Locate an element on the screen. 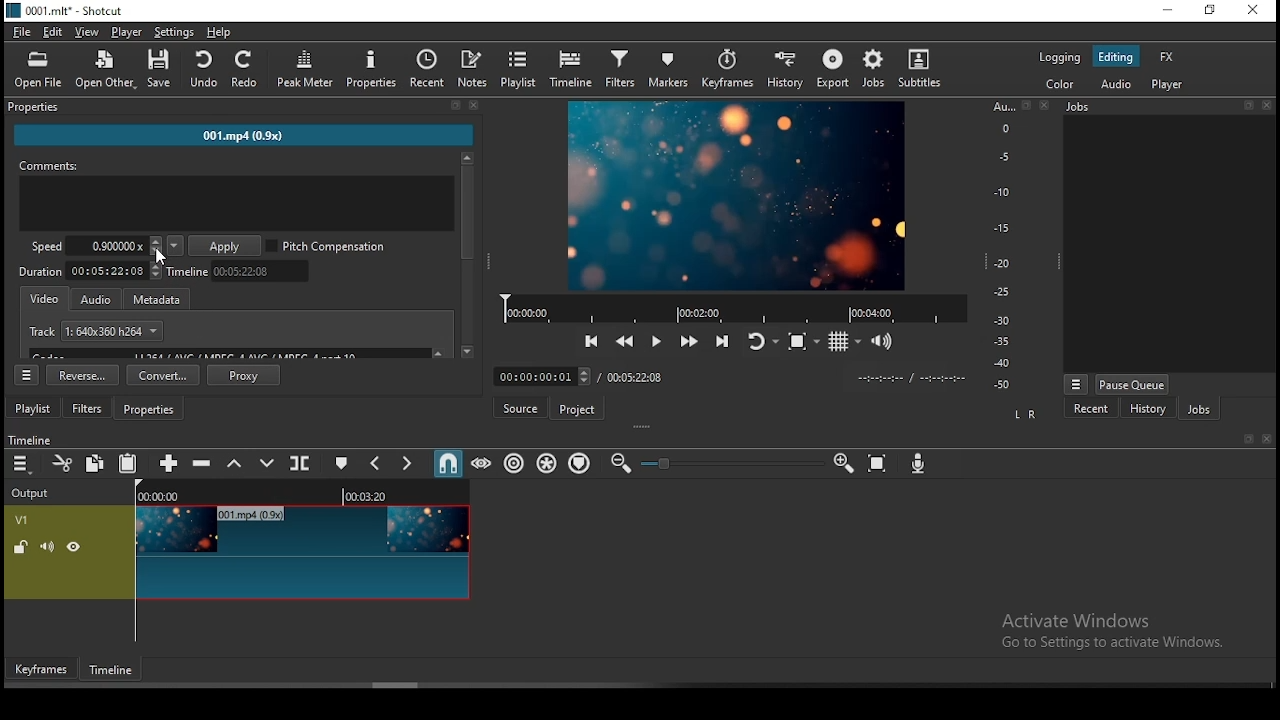 The width and height of the screenshot is (1280, 720). fx is located at coordinates (1167, 58).